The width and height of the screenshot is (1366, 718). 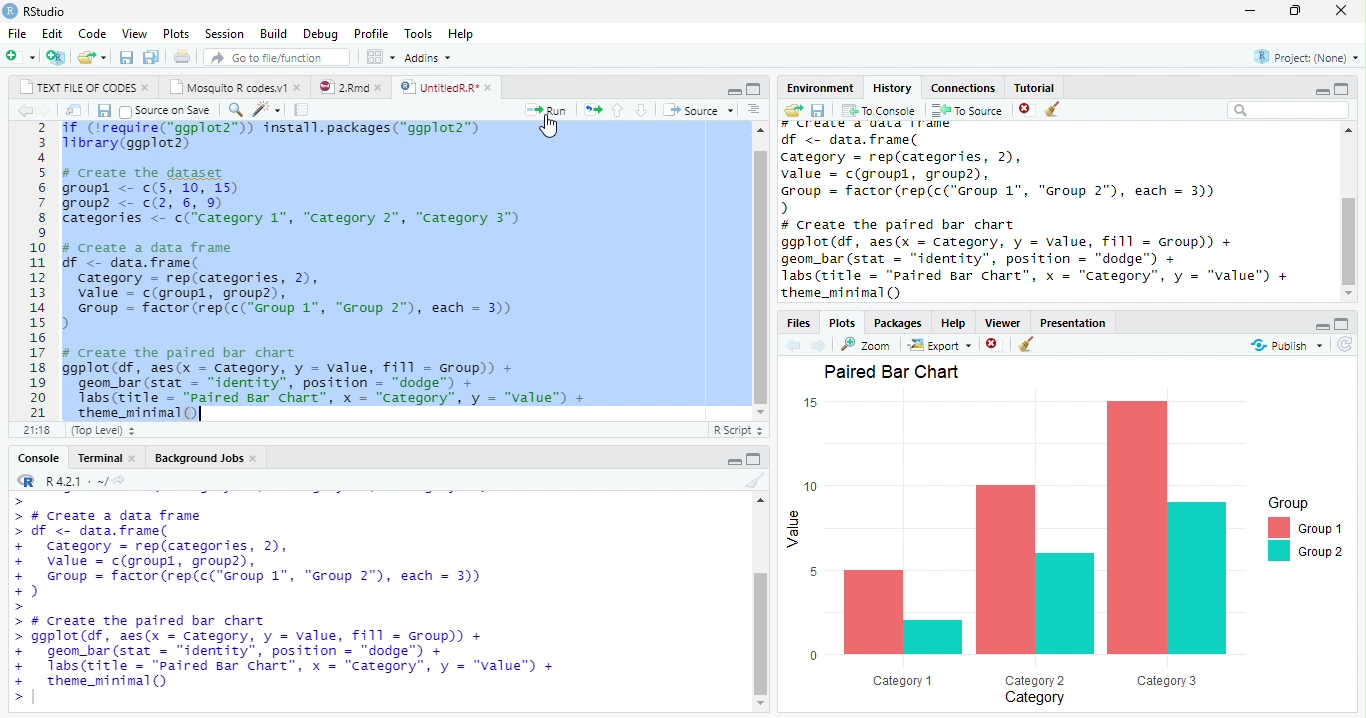 I want to click on maximize, so click(x=758, y=460).